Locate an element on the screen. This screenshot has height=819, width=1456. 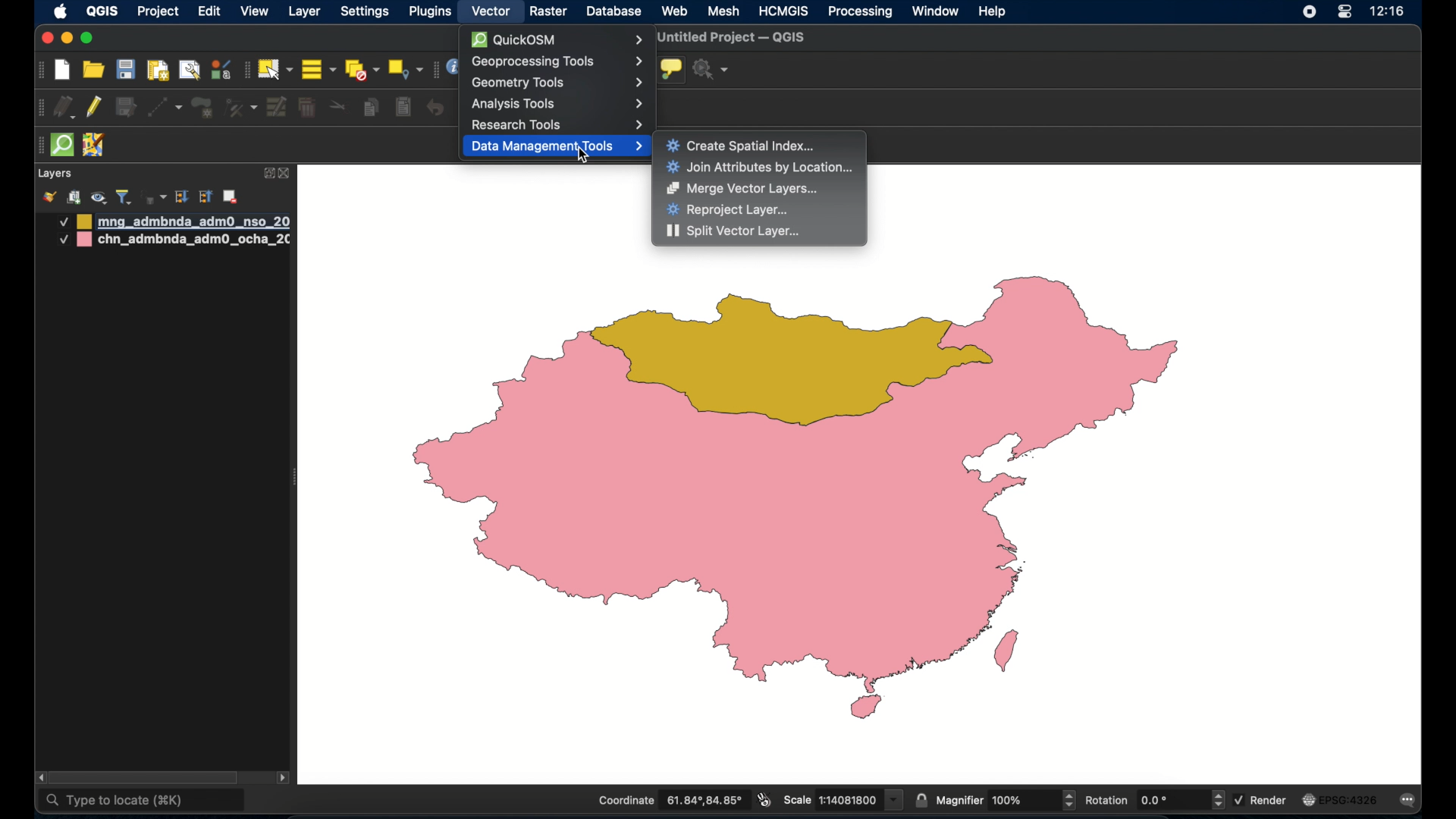
filter legend is located at coordinates (124, 197).